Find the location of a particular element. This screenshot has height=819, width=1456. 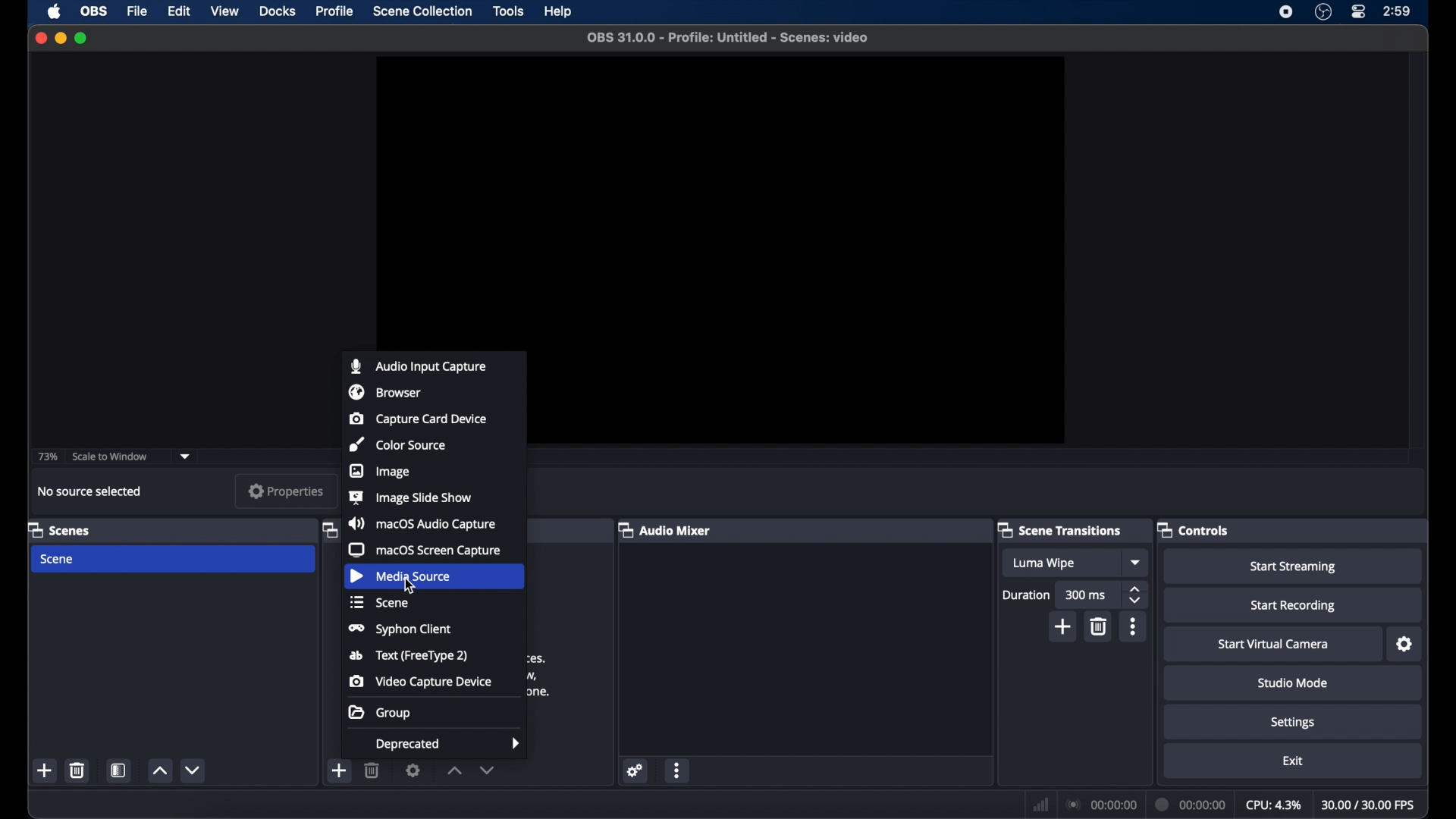

controls is located at coordinates (1192, 529).